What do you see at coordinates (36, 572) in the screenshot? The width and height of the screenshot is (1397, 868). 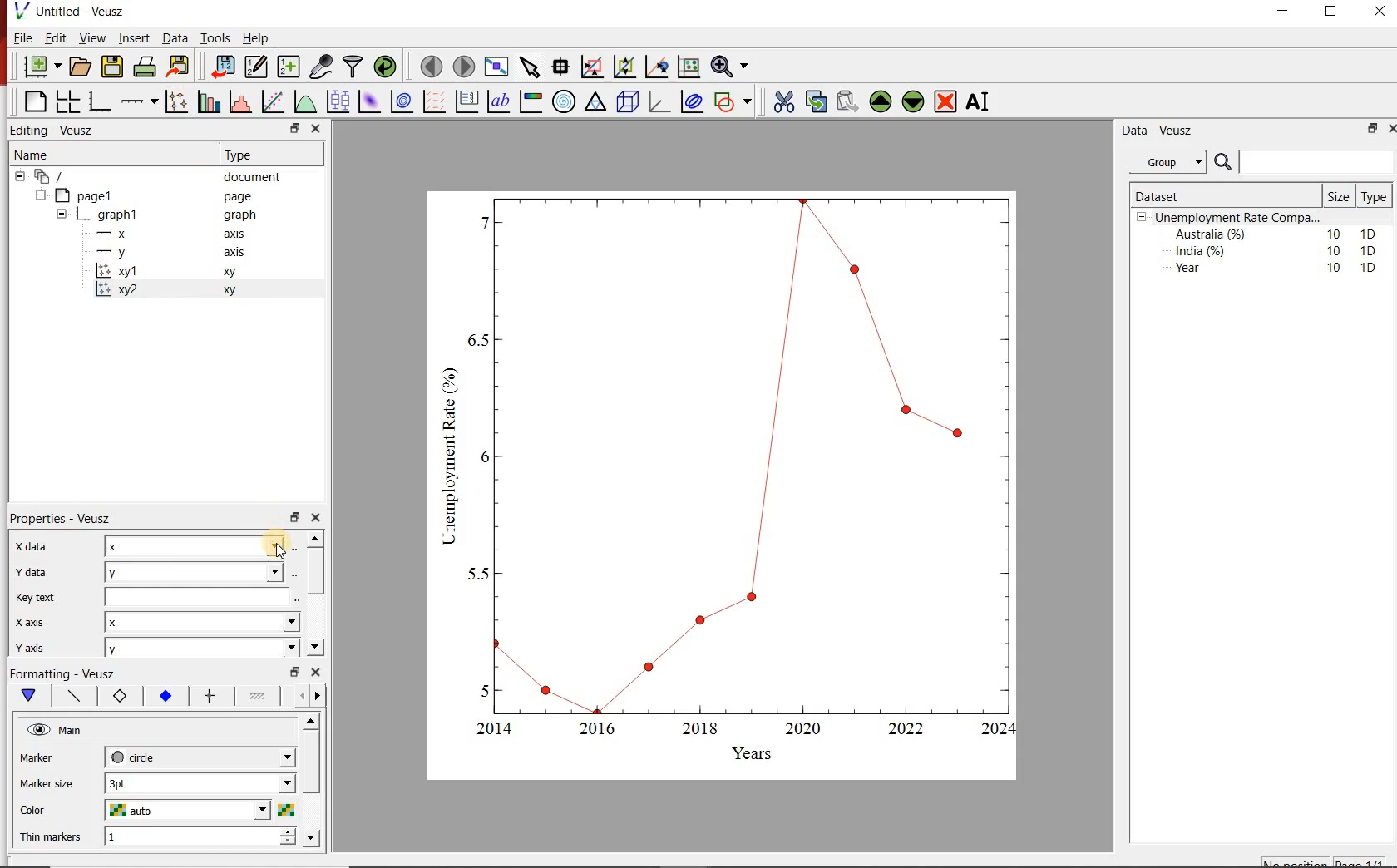 I see `y data` at bounding box center [36, 572].